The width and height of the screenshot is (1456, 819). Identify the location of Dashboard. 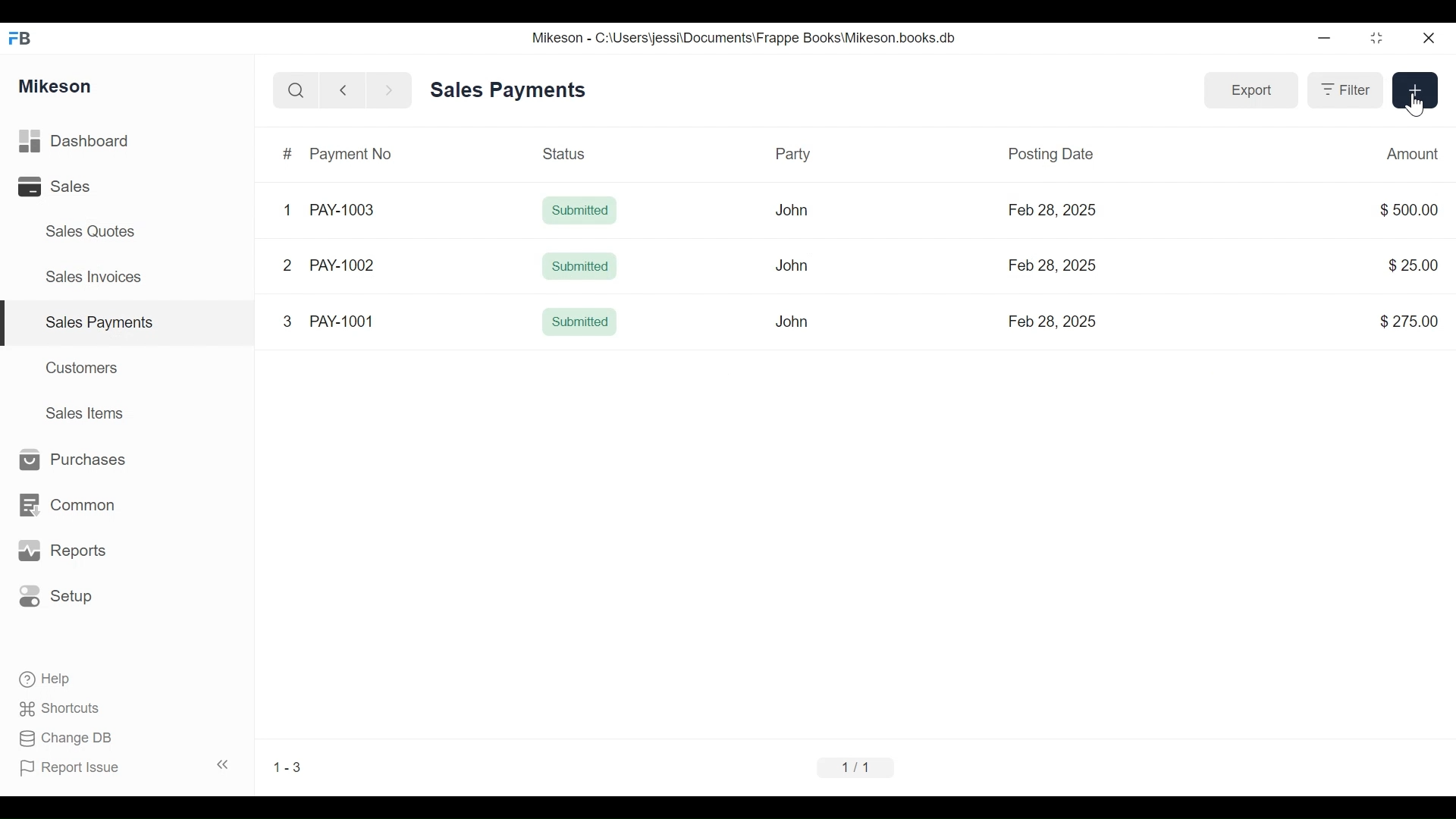
(99, 142).